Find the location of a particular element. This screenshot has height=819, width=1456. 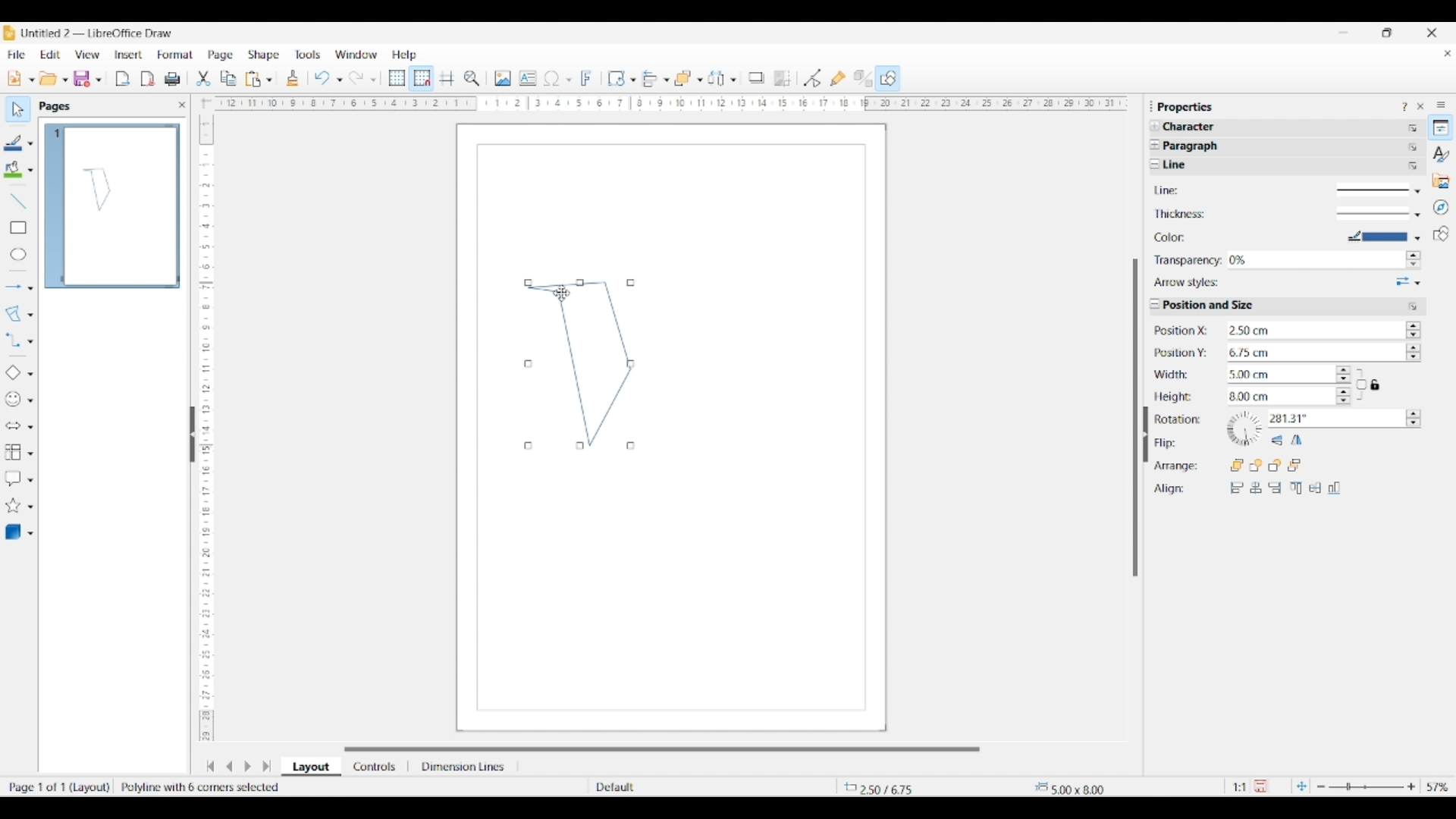

Show interface in smaller tab is located at coordinates (1386, 33).